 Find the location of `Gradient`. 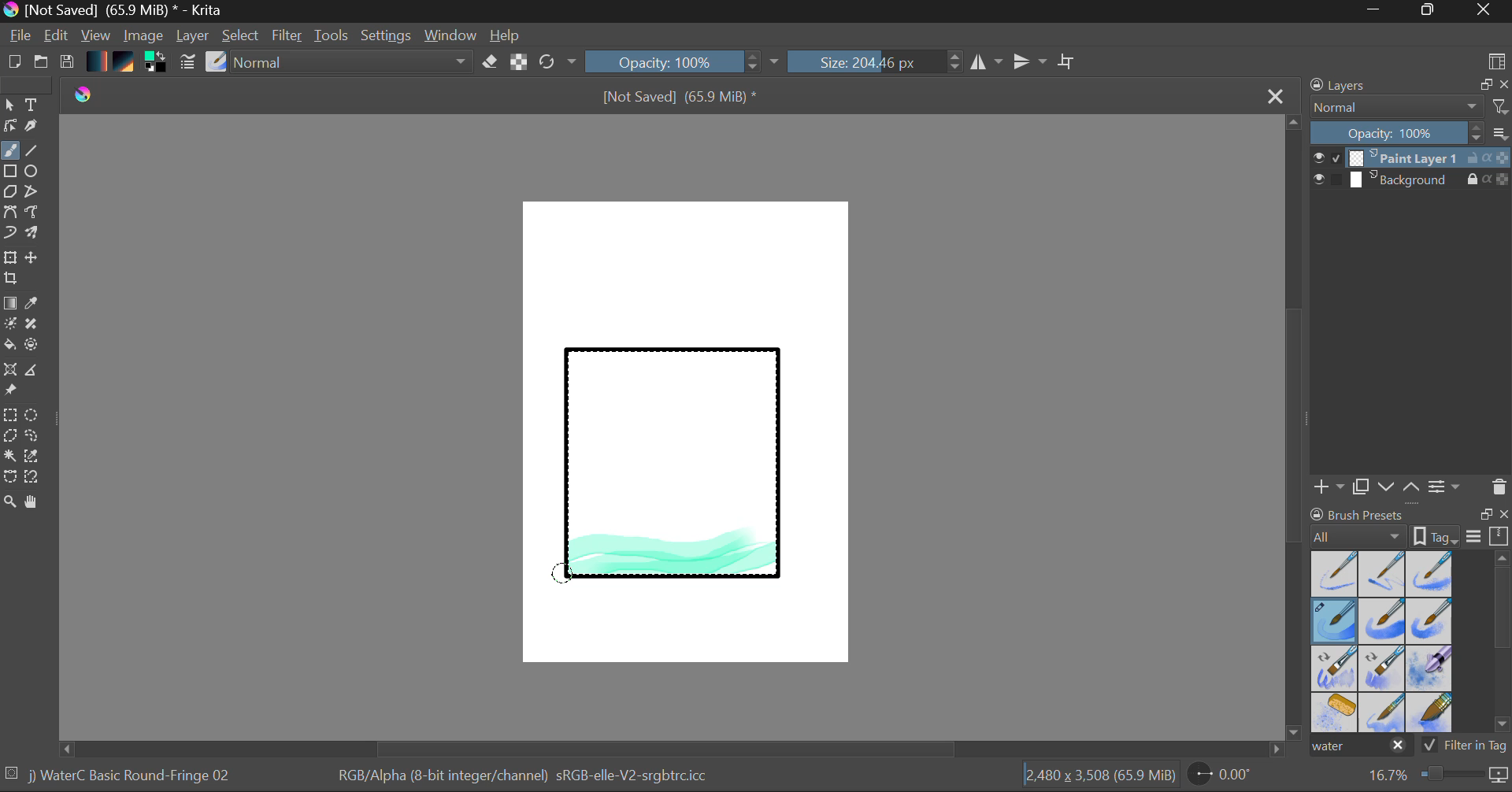

Gradient is located at coordinates (95, 60).